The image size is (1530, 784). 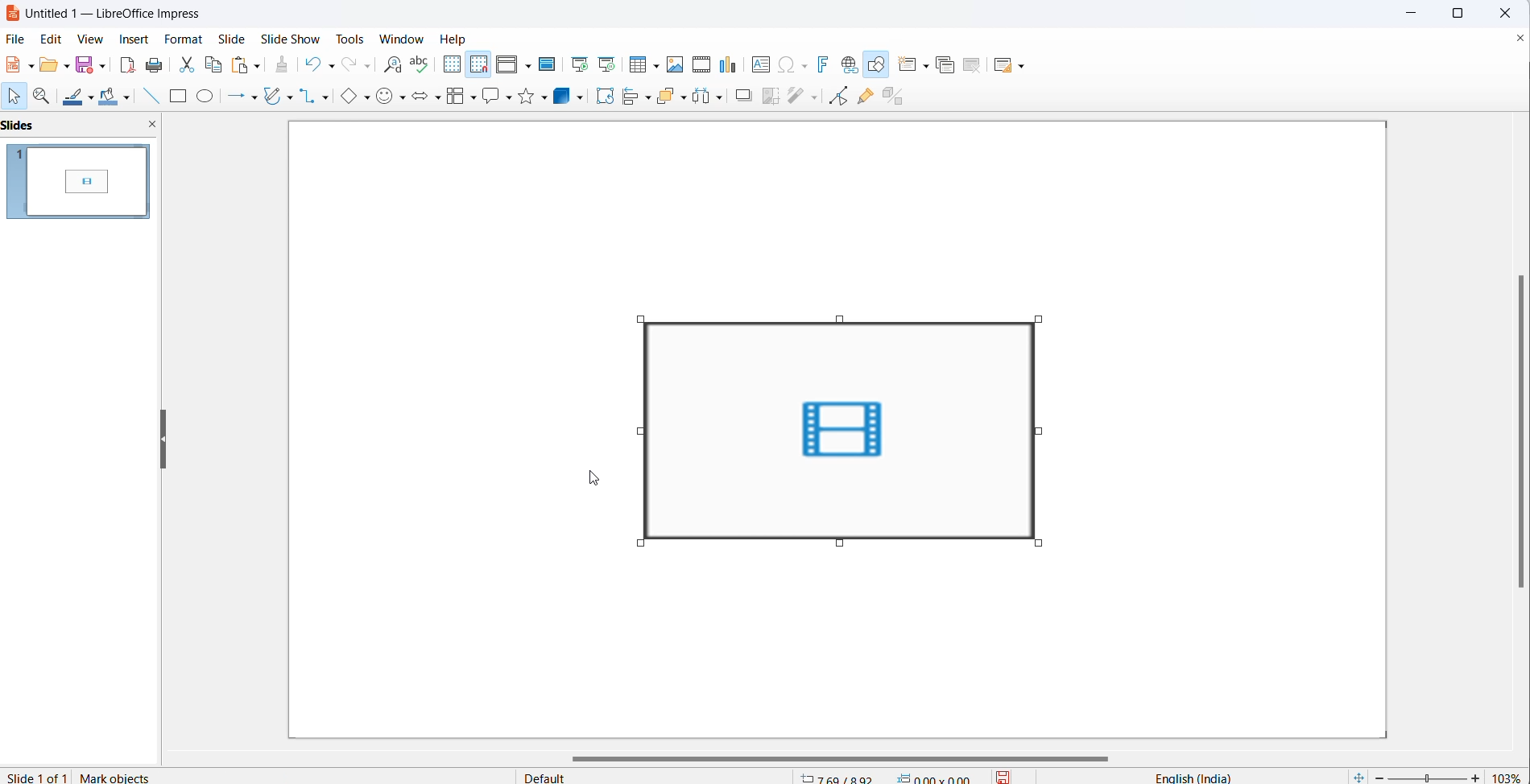 What do you see at coordinates (420, 98) in the screenshot?
I see `block arrows` at bounding box center [420, 98].